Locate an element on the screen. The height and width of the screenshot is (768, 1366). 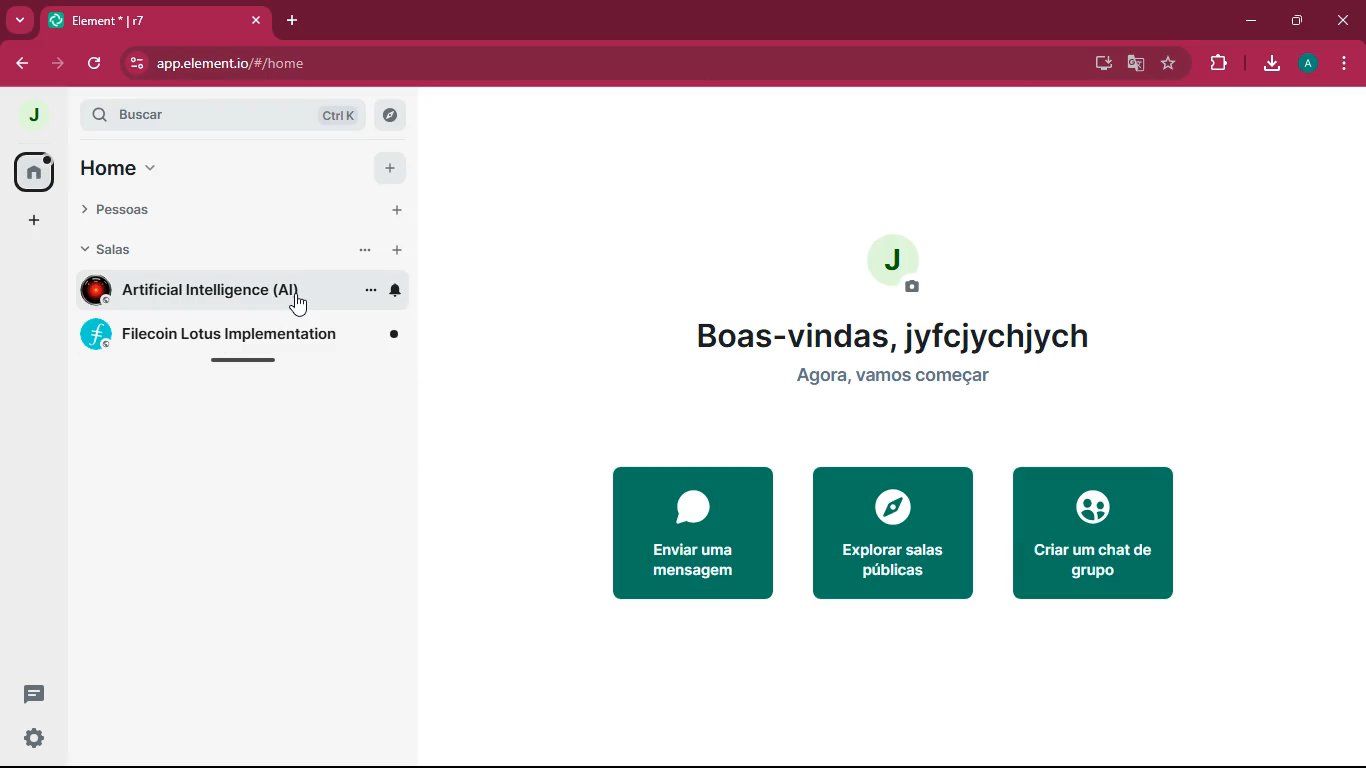
criar um chat de grupo is located at coordinates (1096, 534).